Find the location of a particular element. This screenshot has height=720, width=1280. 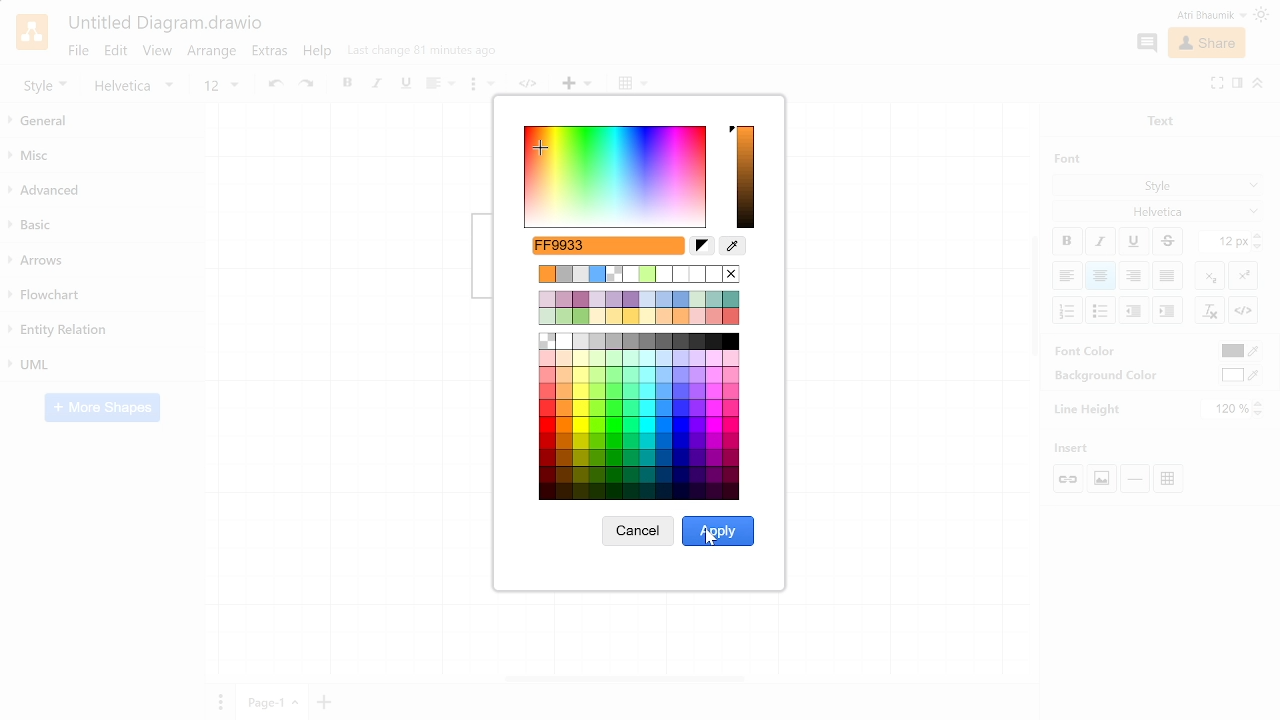

Line is located at coordinates (1135, 479).